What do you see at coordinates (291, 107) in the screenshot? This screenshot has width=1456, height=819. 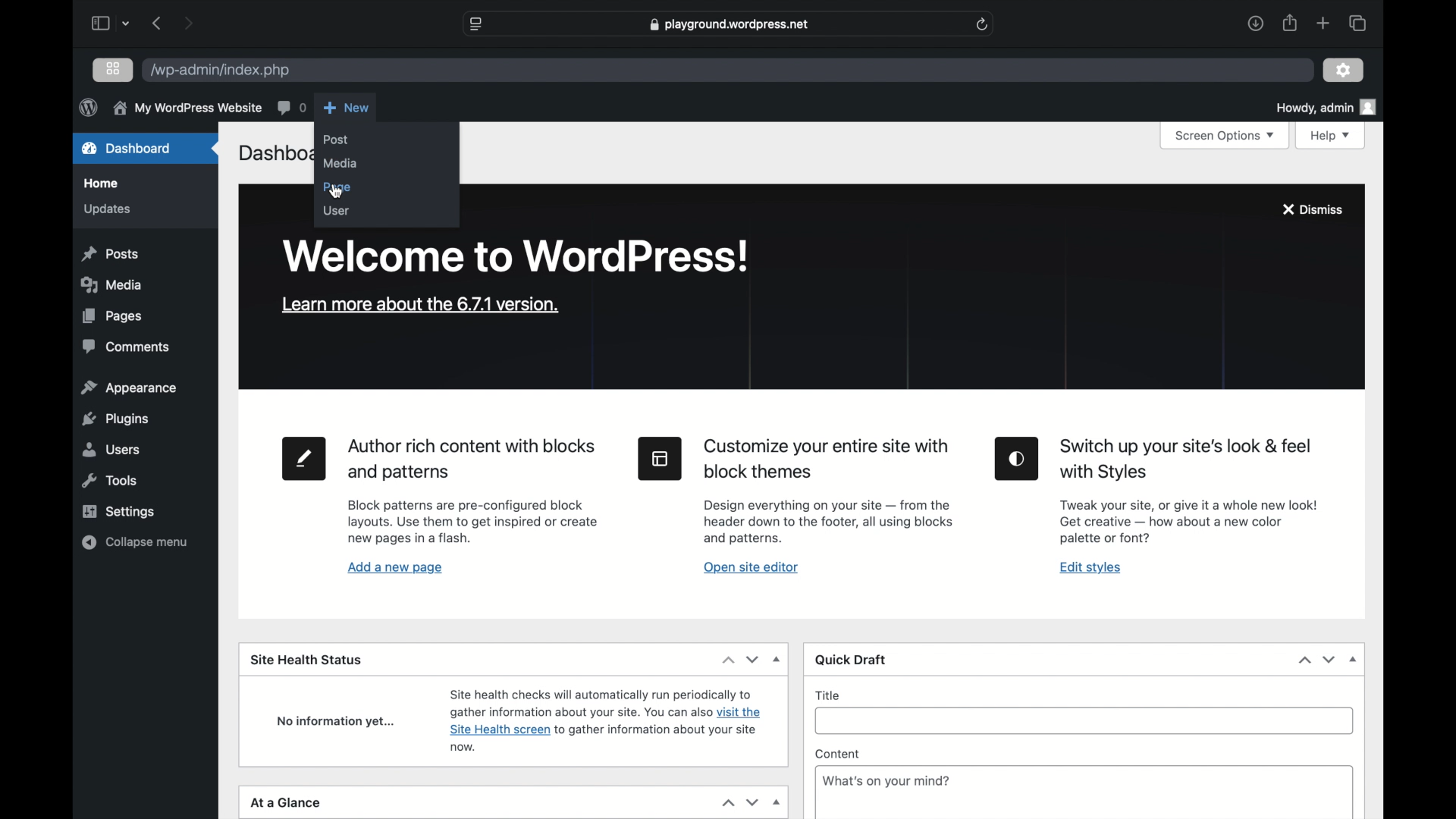 I see `comments` at bounding box center [291, 107].